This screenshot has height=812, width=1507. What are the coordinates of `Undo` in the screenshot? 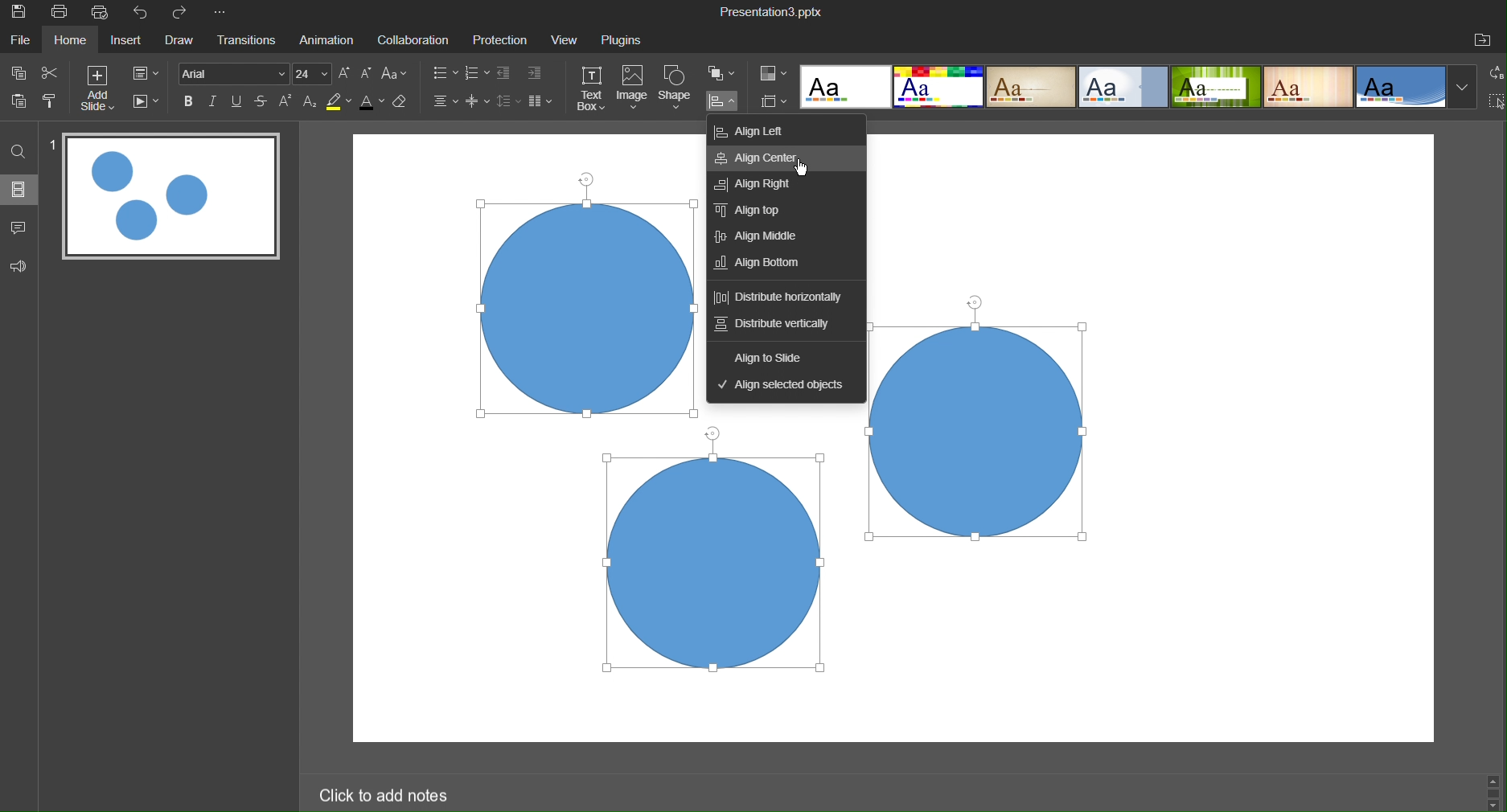 It's located at (142, 12).